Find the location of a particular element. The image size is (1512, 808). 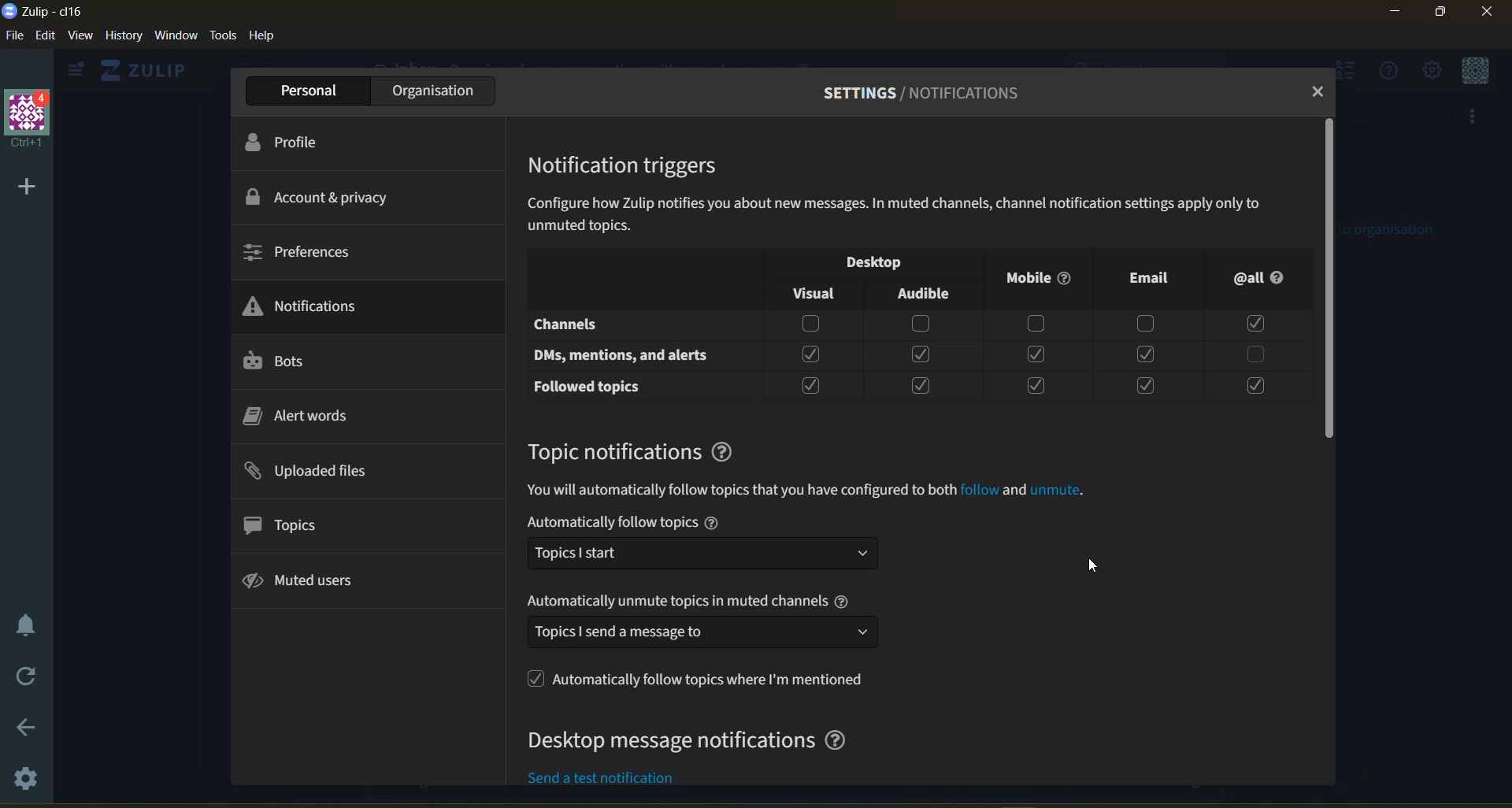

notification visibility checkbox is located at coordinates (883, 261).